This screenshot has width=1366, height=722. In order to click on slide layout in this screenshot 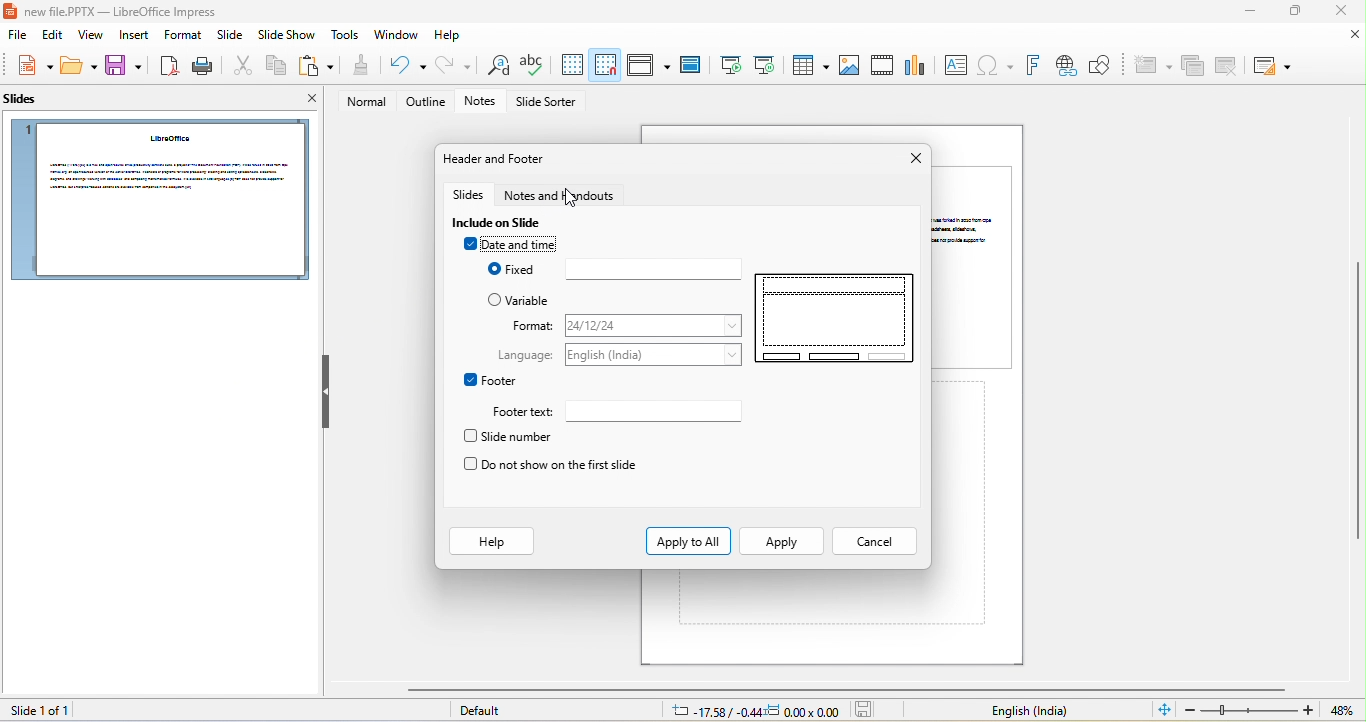, I will do `click(1271, 66)`.